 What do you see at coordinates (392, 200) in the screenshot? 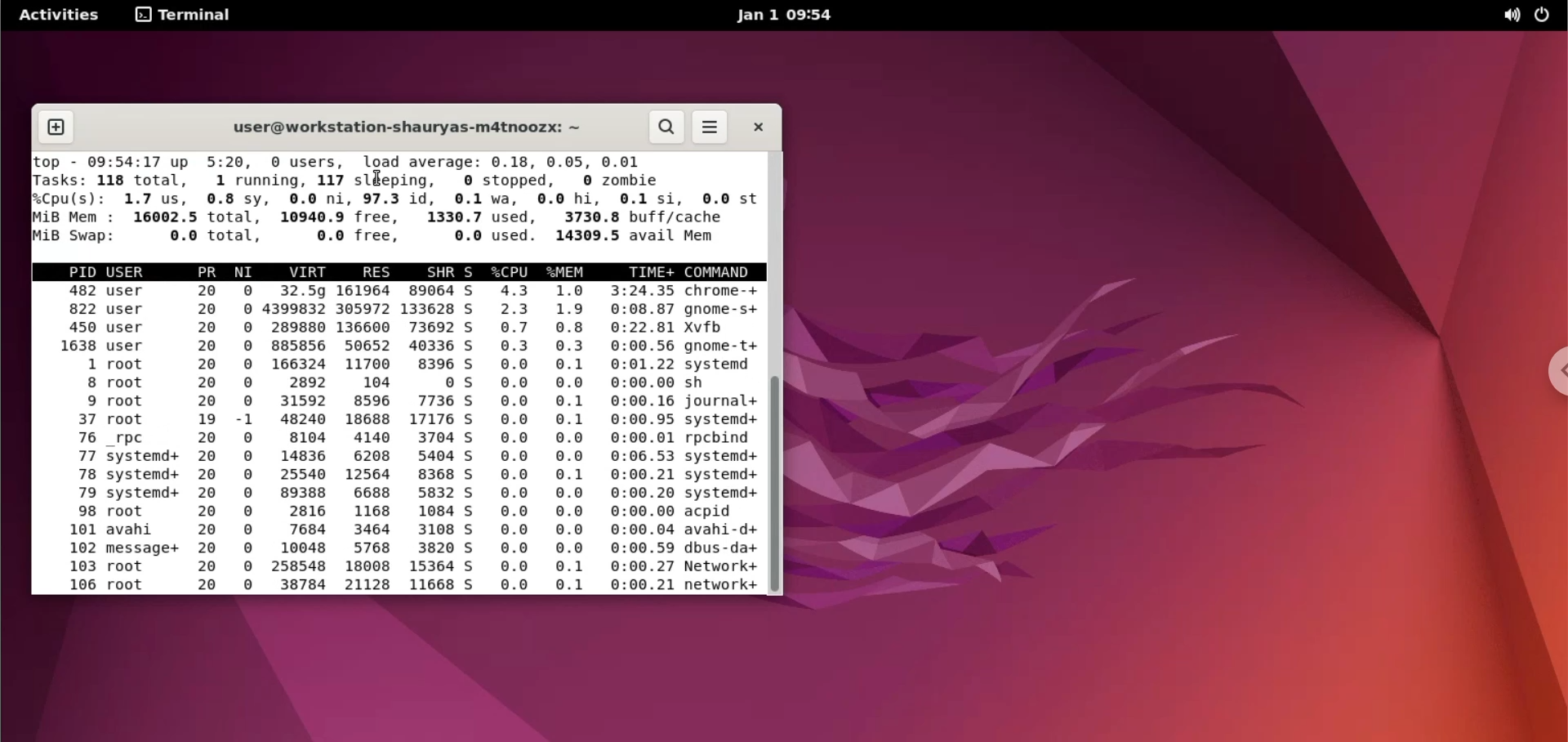
I see `top - 09:54:17 up 5:20, © users, load average: 0.18, 0.05, 0.0 Tasks: 118 total, 1 running, 117 sideping, 0 stopped, 0 zombie%Cpu(s): 1.7 us, 0.8 sy, 0.0 ni, 97.3 id, 0.1 wa, 0.0 hi, 0.1 si, 0.0 stMiB Mem : 16002.5 total, 10940.9 free, 1330.7 used, 3730.8 buff/cacheMiB Swap: 0.0 total, 0.0 free, 0.0 used. 14309.5 avail Mem` at bounding box center [392, 200].